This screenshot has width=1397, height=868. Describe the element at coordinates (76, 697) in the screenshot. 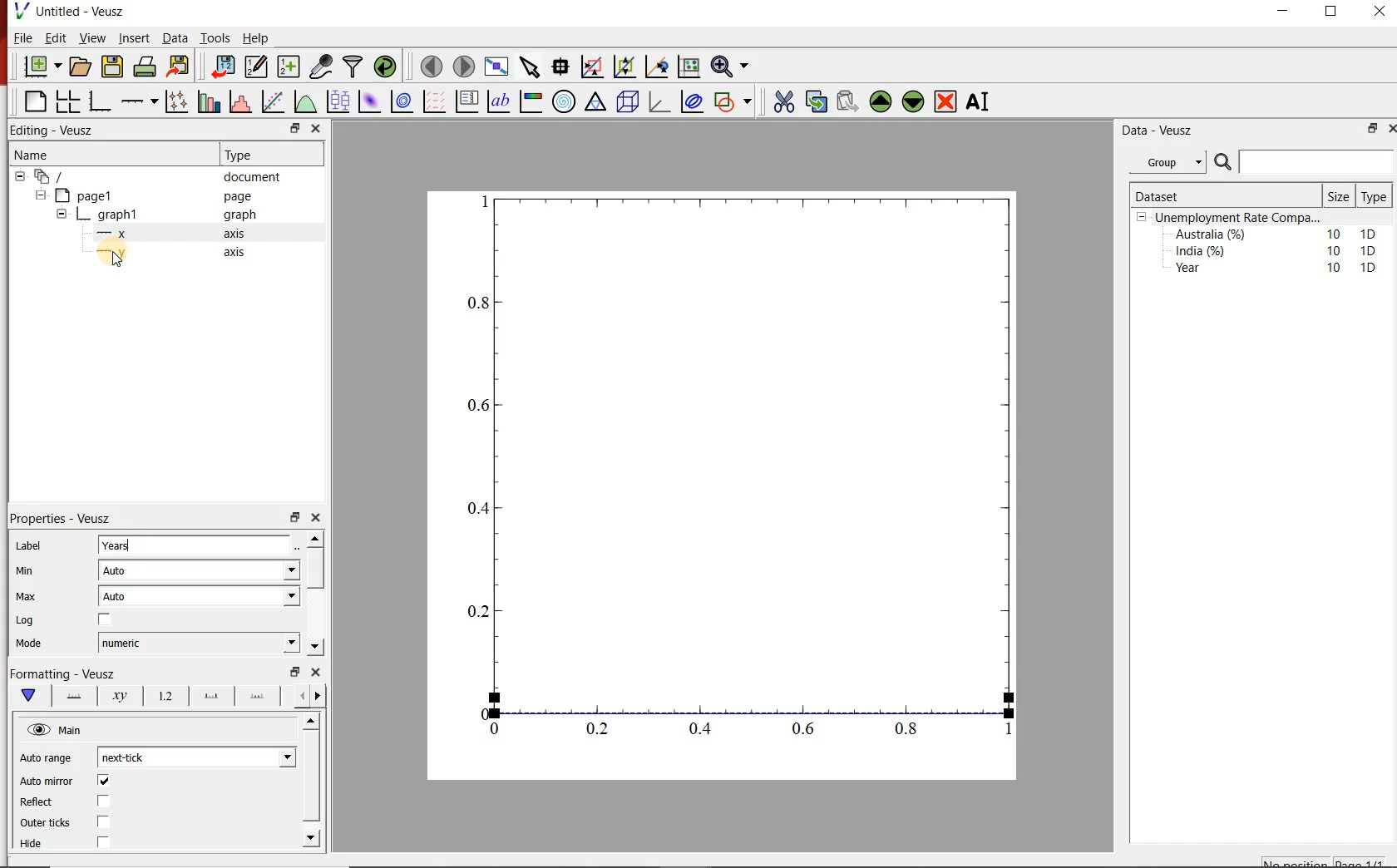

I see `axis lines` at that location.